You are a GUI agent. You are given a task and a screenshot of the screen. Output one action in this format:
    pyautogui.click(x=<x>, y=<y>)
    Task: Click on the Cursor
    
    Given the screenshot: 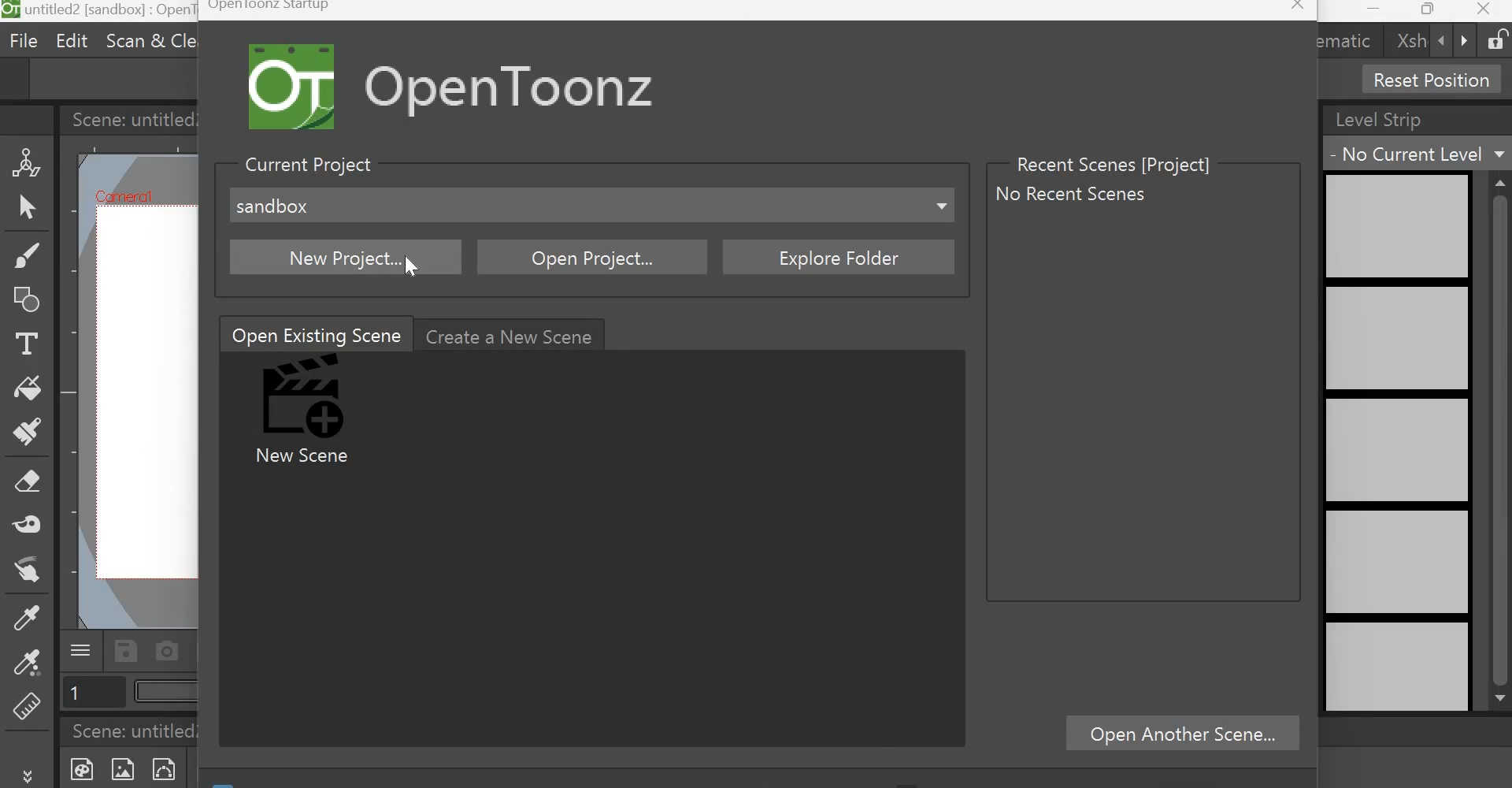 What is the action you would take?
    pyautogui.click(x=413, y=269)
    